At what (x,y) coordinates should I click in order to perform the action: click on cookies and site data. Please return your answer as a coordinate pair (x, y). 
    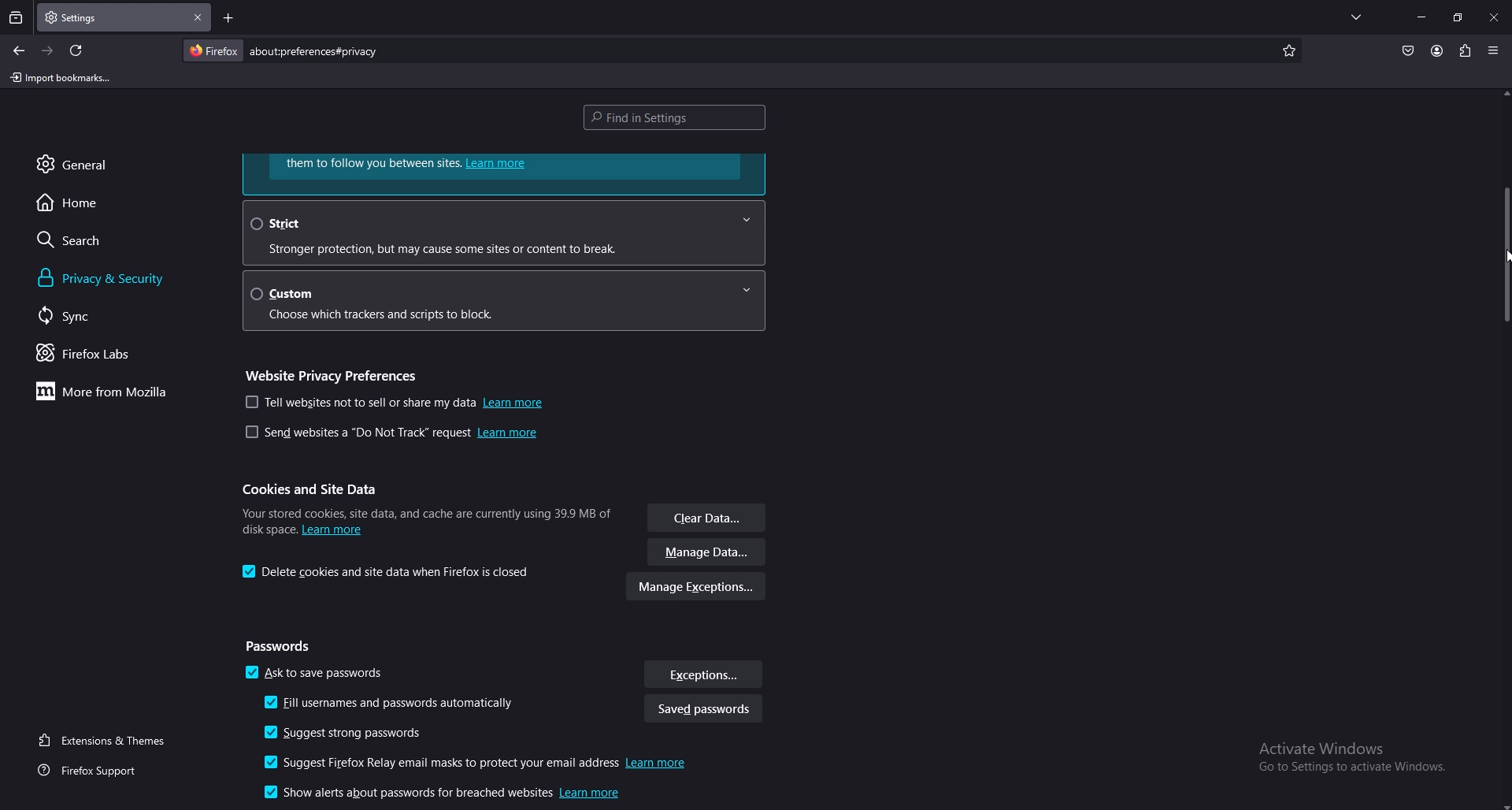
    Looking at the image, I should click on (316, 489).